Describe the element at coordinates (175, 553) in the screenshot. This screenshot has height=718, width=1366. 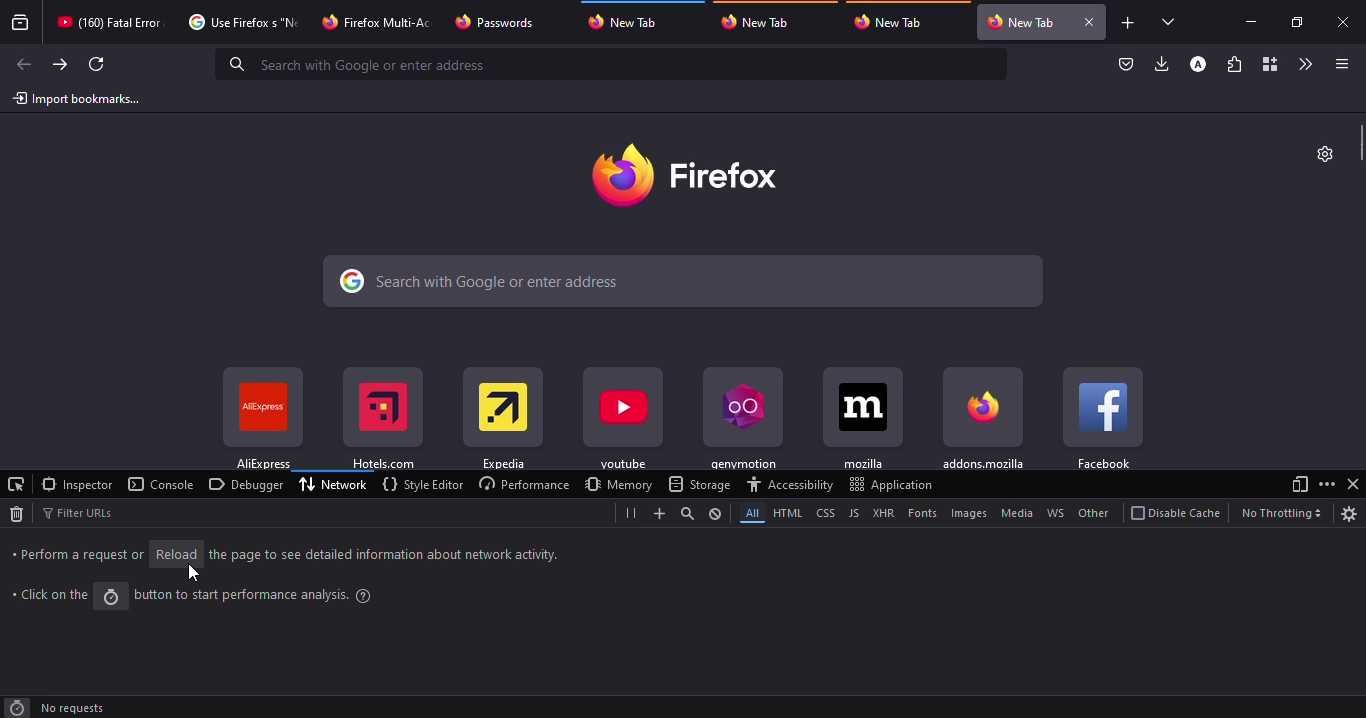
I see `reload` at that location.